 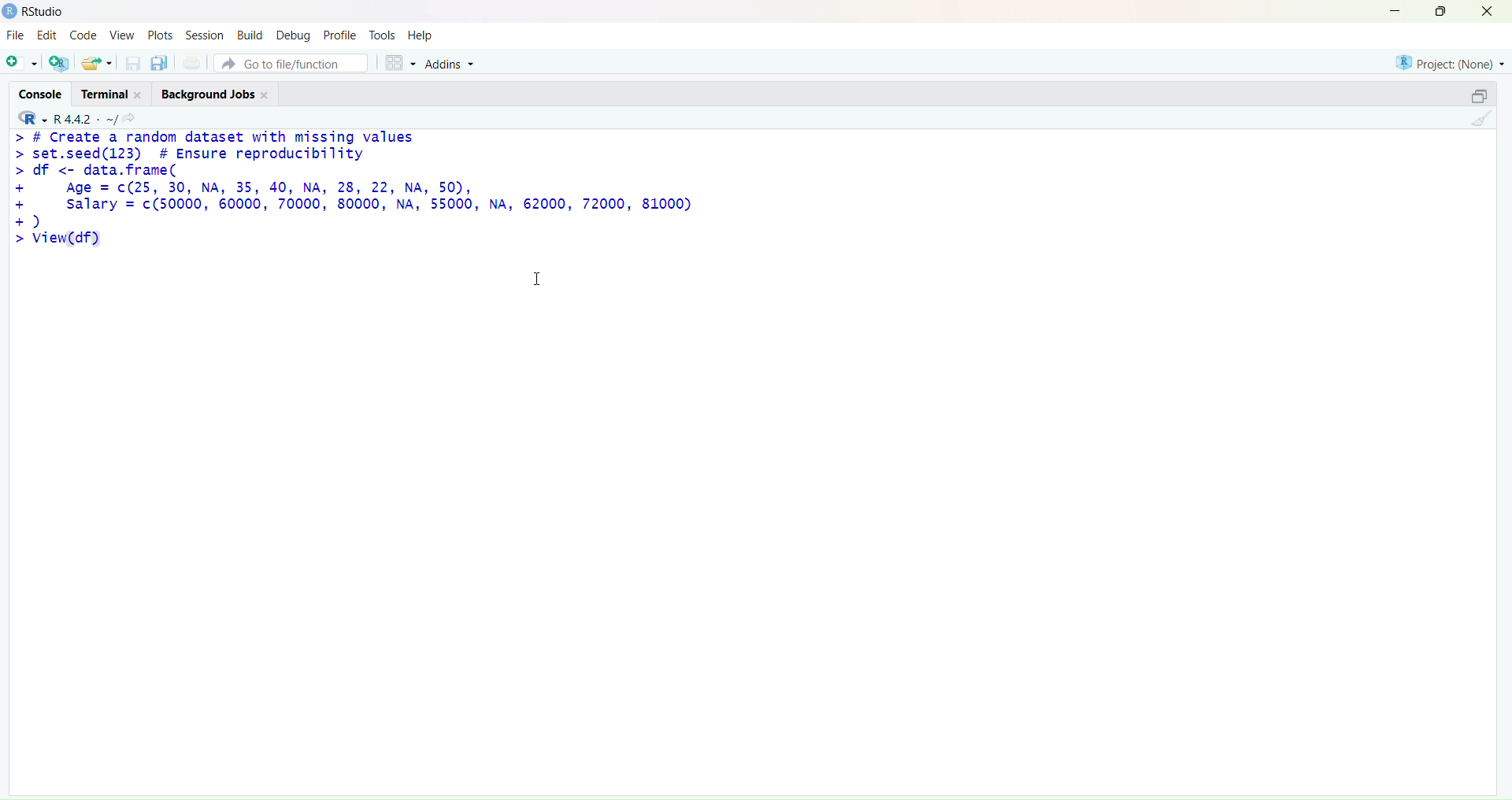 I want to click on session, so click(x=206, y=36).